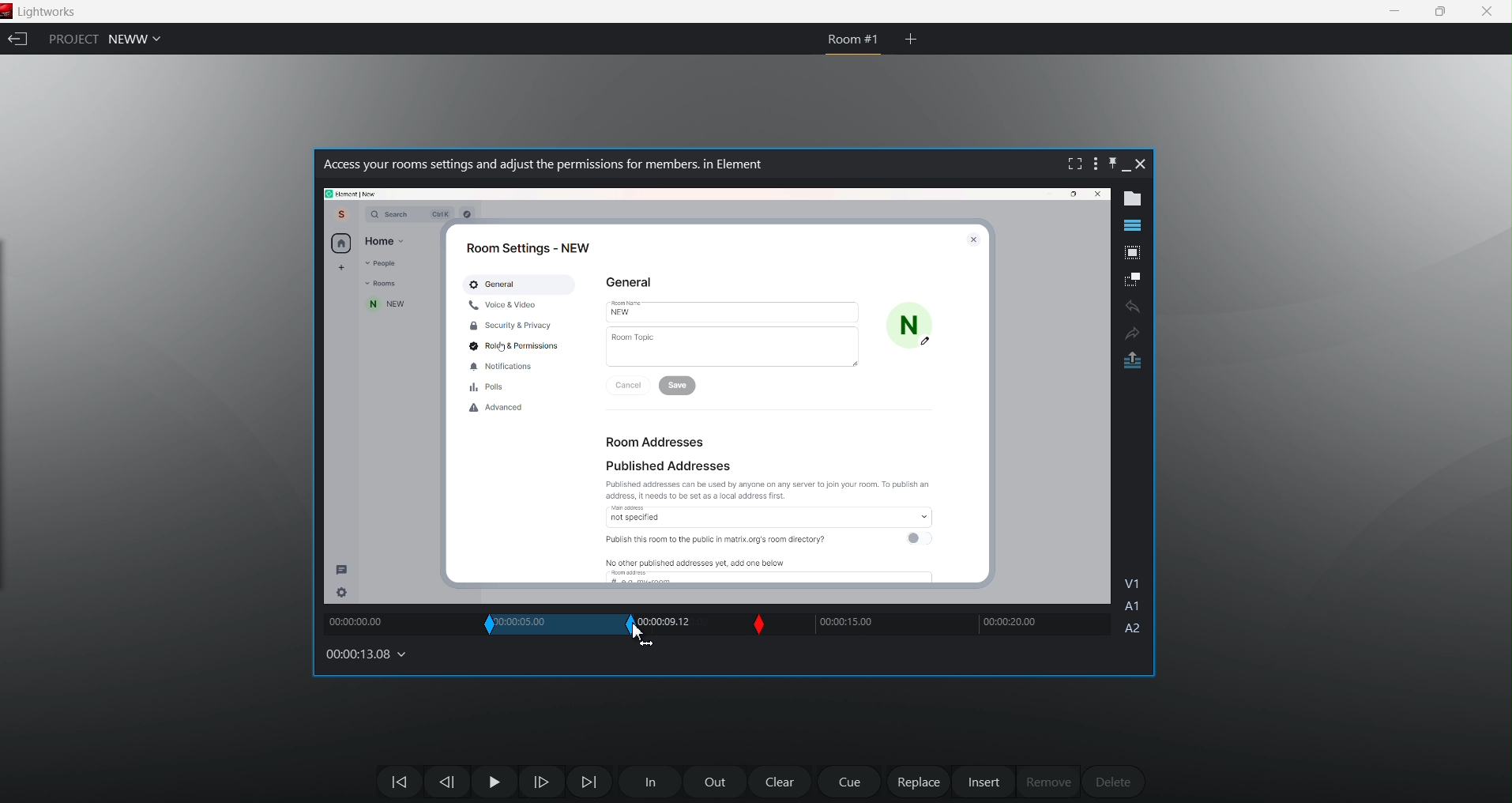 Image resolution: width=1512 pixels, height=803 pixels. What do you see at coordinates (1070, 195) in the screenshot?
I see `Maximize` at bounding box center [1070, 195].